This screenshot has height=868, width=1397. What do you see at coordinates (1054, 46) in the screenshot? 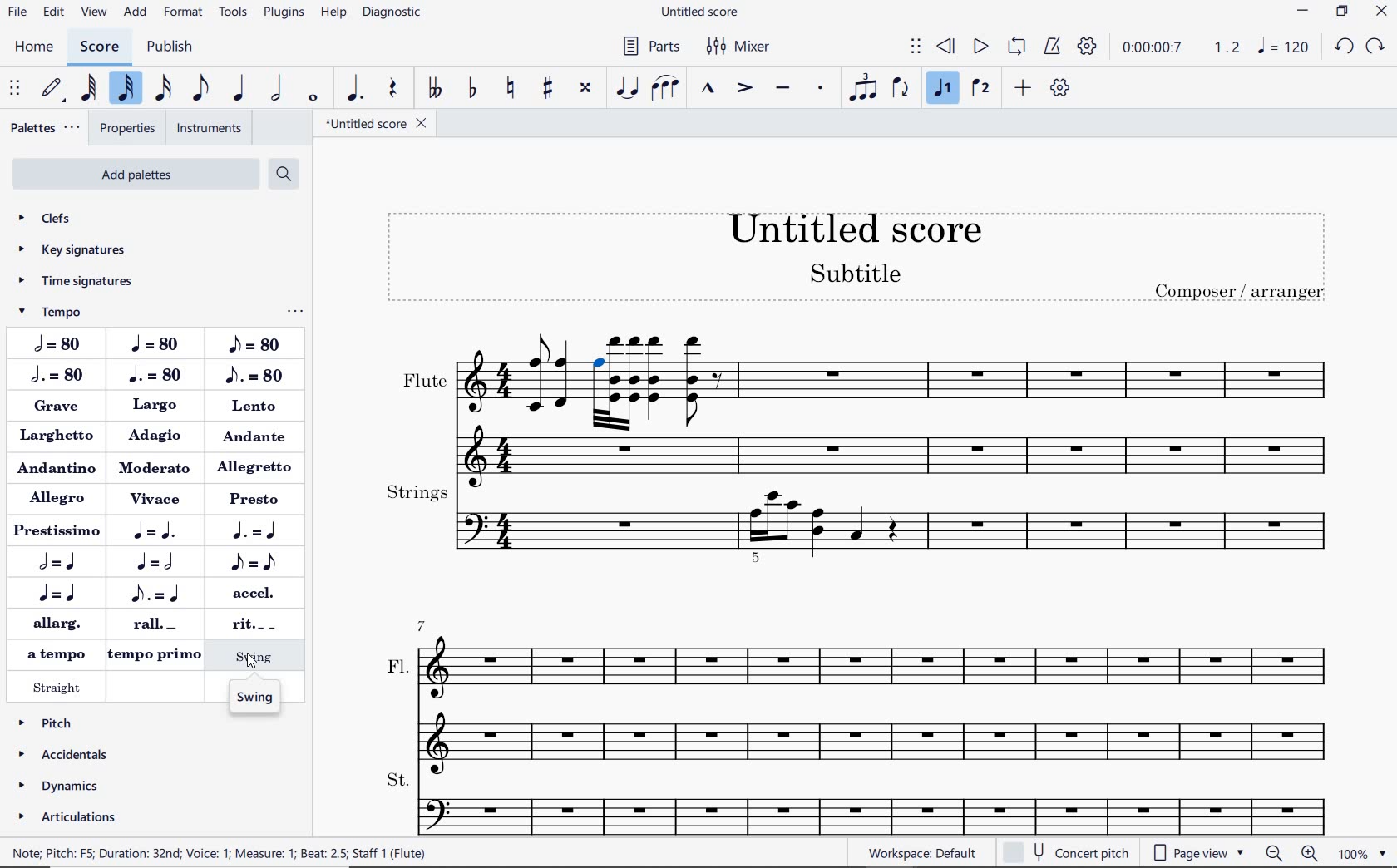
I see `METRONOME` at bounding box center [1054, 46].